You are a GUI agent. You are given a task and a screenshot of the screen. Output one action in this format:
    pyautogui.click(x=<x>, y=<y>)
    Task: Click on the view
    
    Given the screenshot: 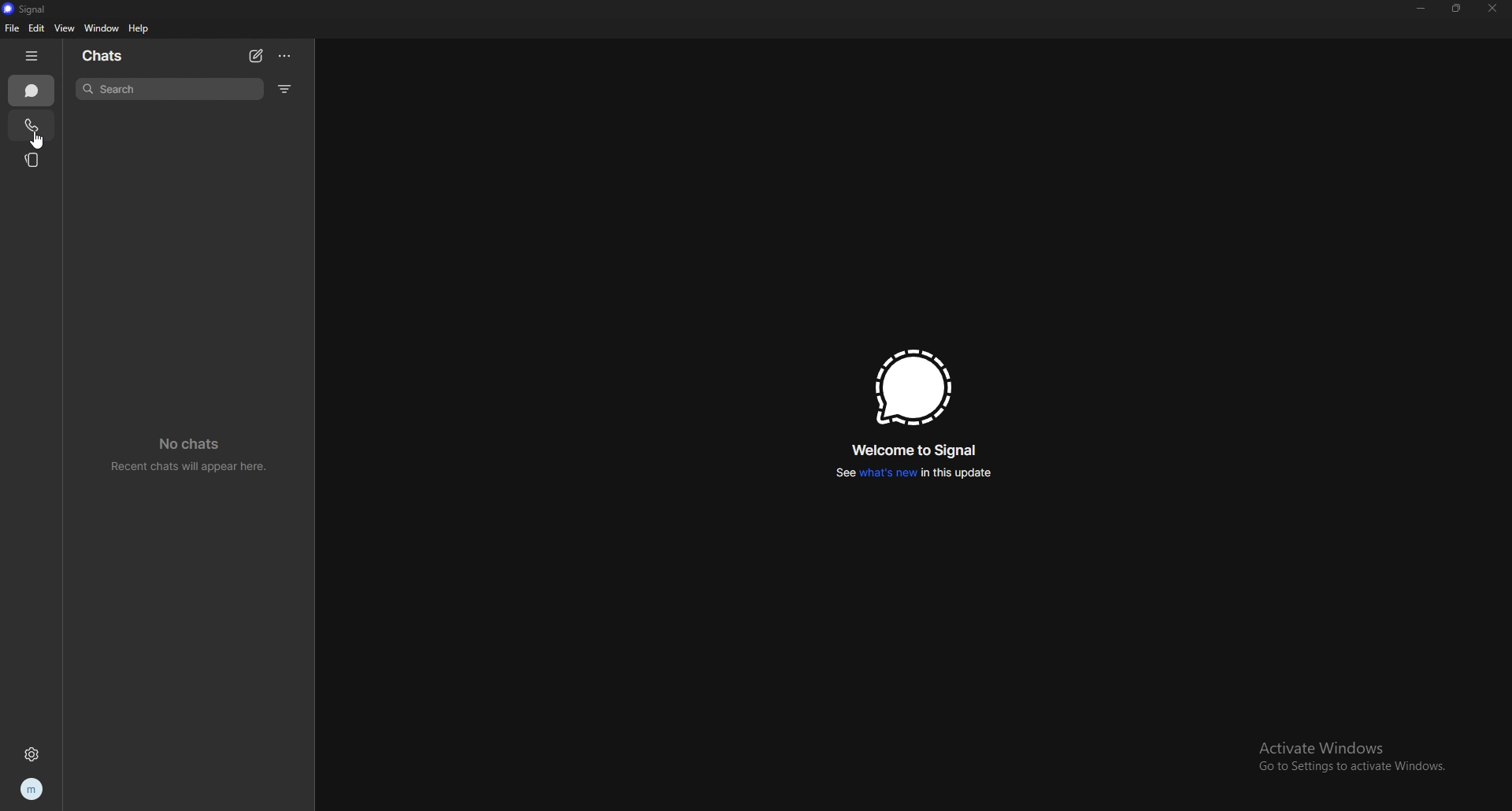 What is the action you would take?
    pyautogui.click(x=66, y=28)
    